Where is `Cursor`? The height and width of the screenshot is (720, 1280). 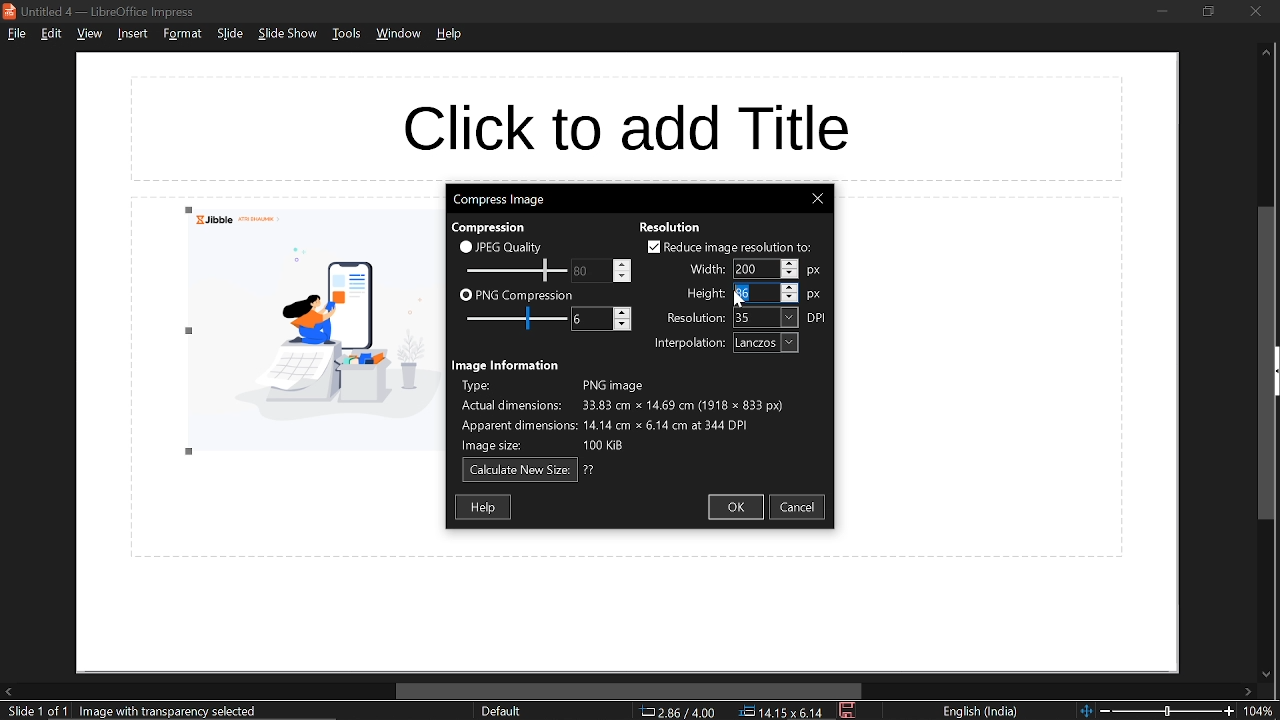
Cursor is located at coordinates (740, 299).